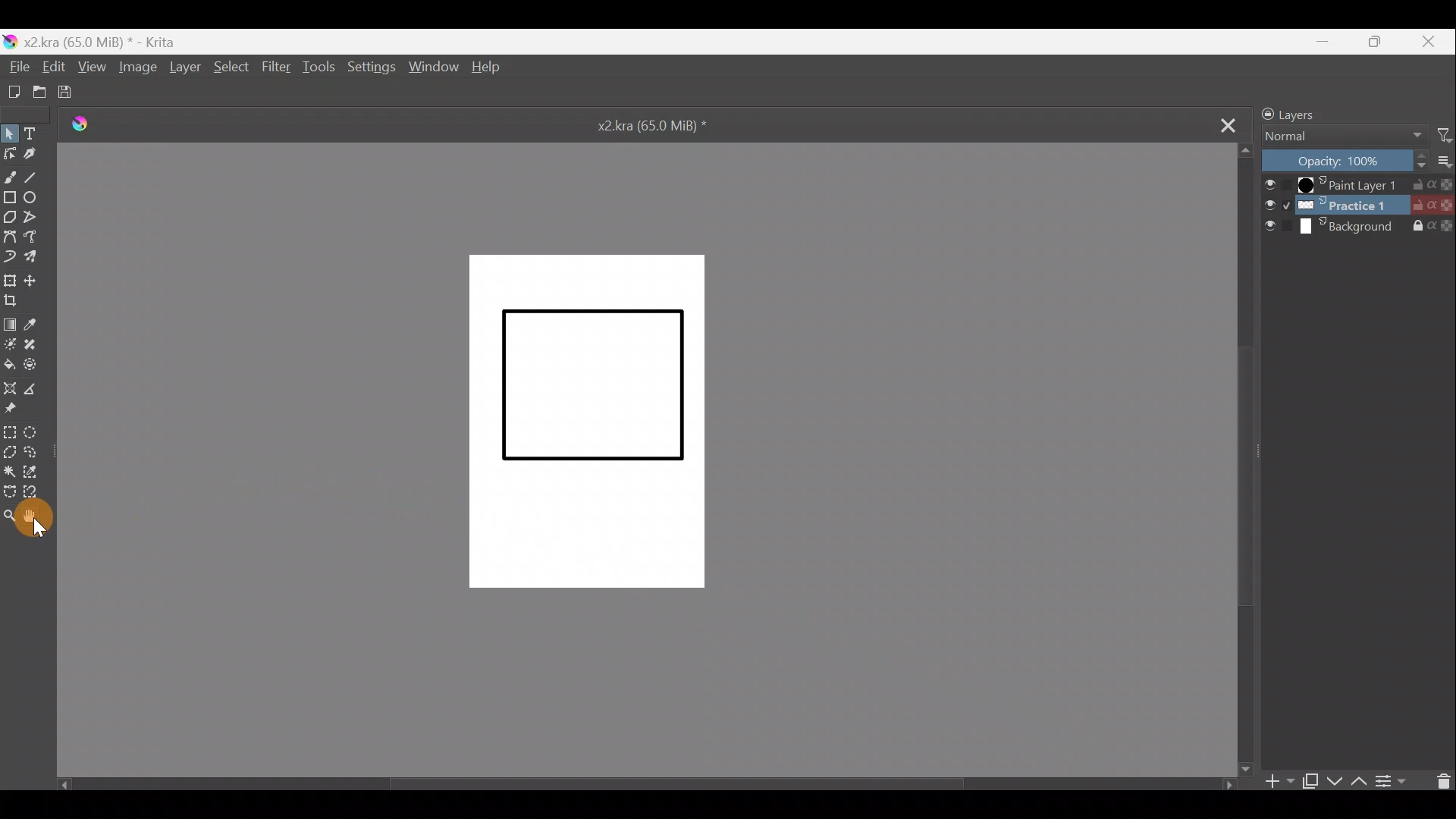 Image resolution: width=1456 pixels, height=819 pixels. Describe the element at coordinates (1429, 42) in the screenshot. I see `Close` at that location.